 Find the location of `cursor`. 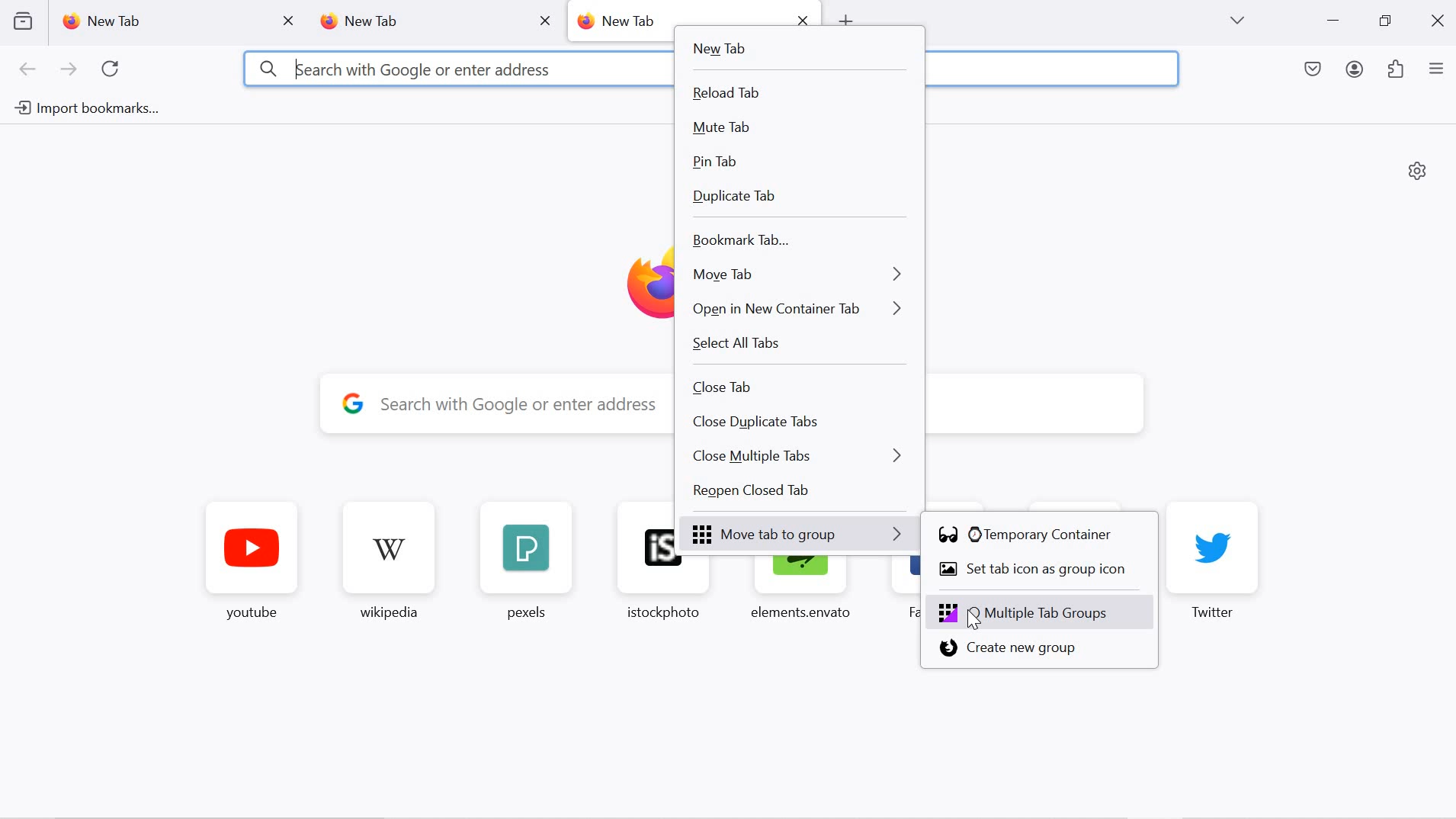

cursor is located at coordinates (973, 621).